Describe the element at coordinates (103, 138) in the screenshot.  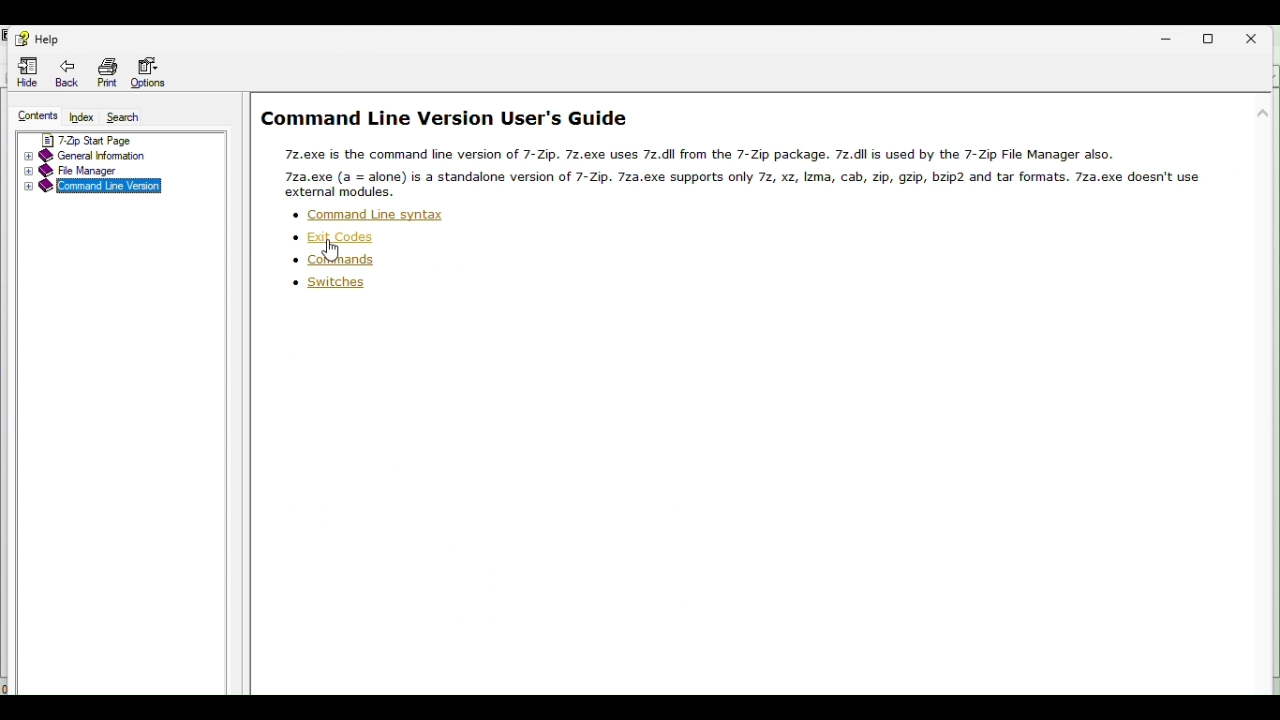
I see `7 zip start page` at that location.